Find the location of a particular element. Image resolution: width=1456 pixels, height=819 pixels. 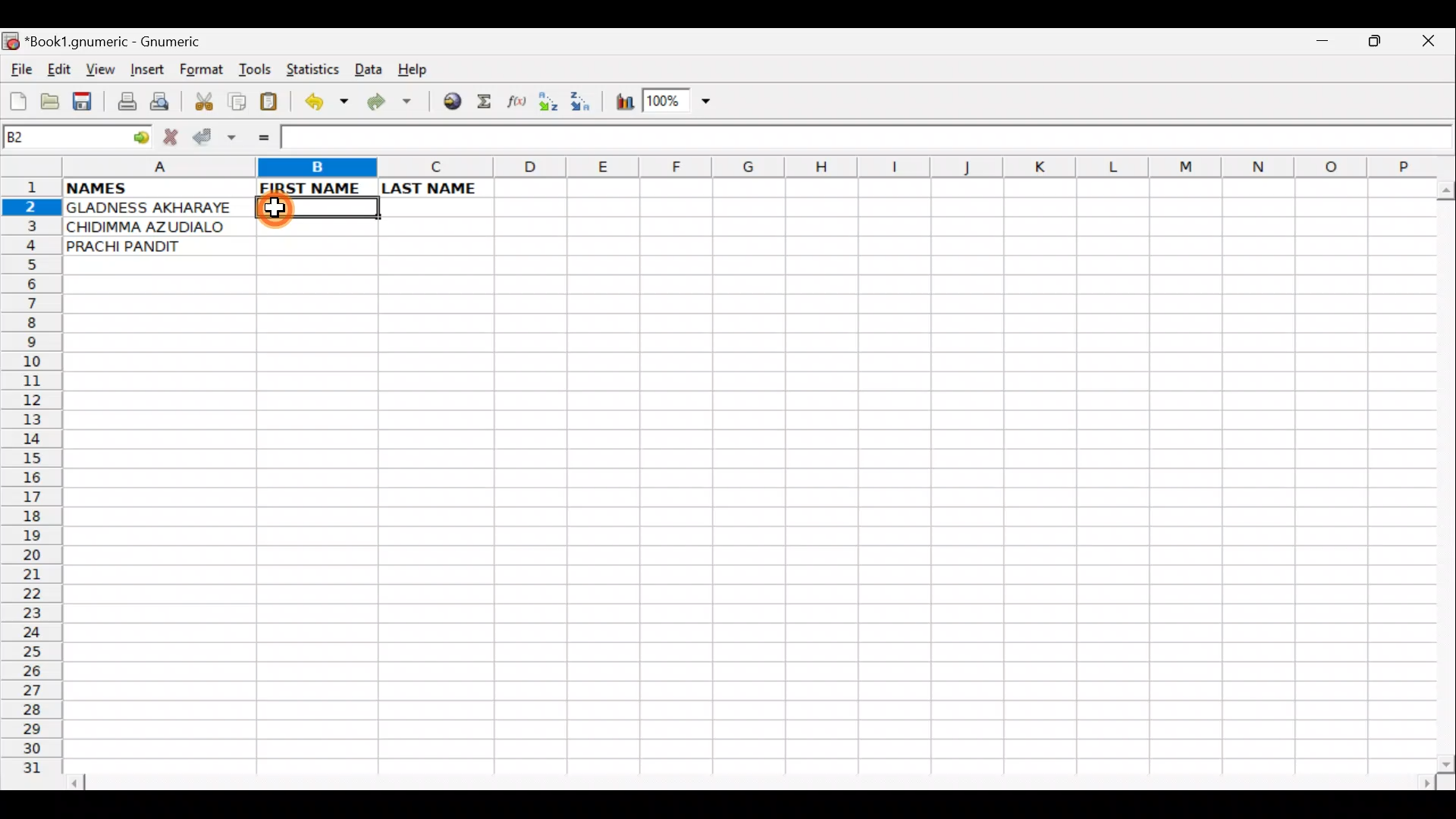

LAST NAME is located at coordinates (436, 187).